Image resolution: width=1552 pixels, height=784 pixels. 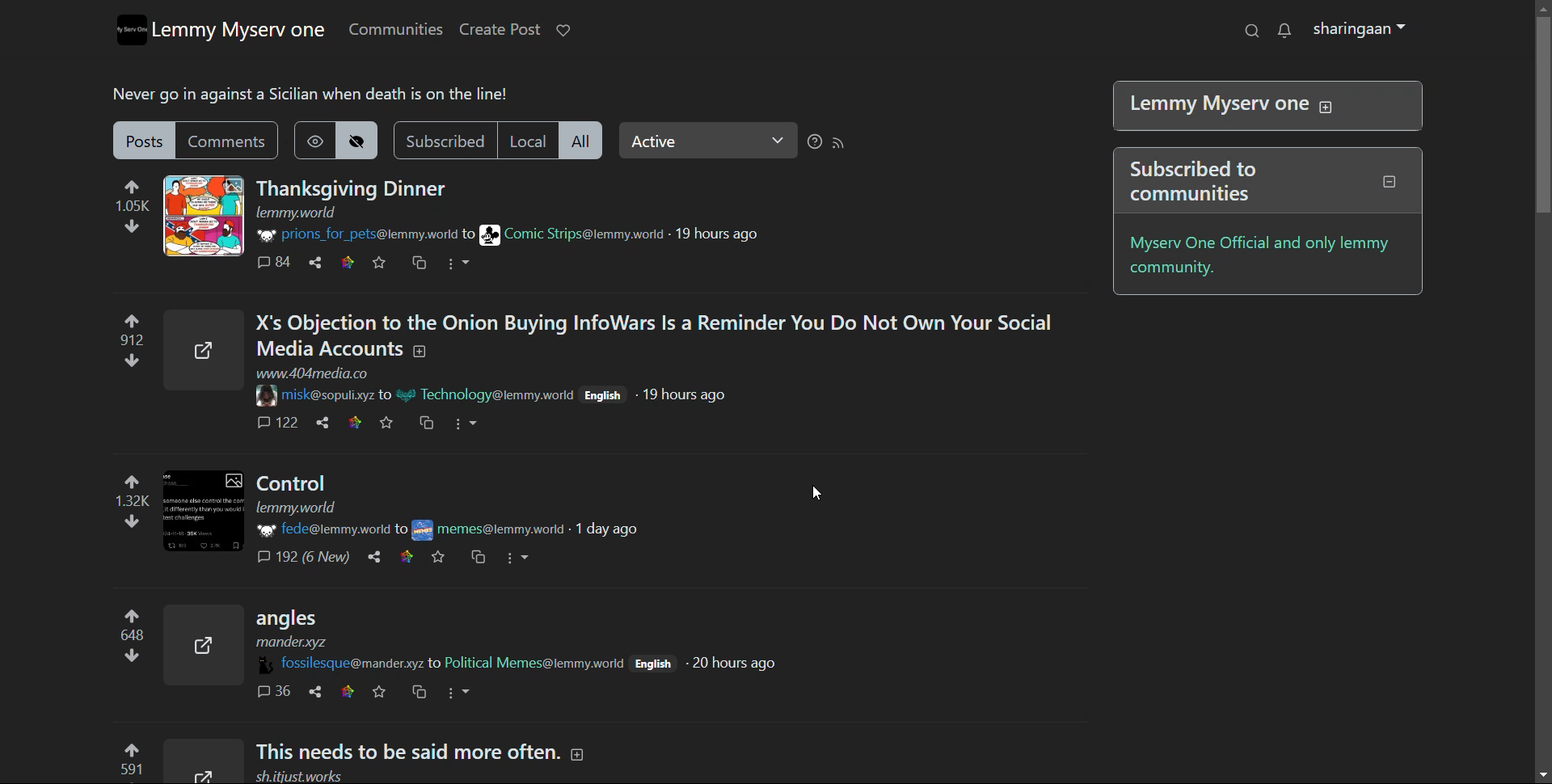 What do you see at coordinates (222, 30) in the screenshot?
I see `lemmy myserv one logo and name` at bounding box center [222, 30].